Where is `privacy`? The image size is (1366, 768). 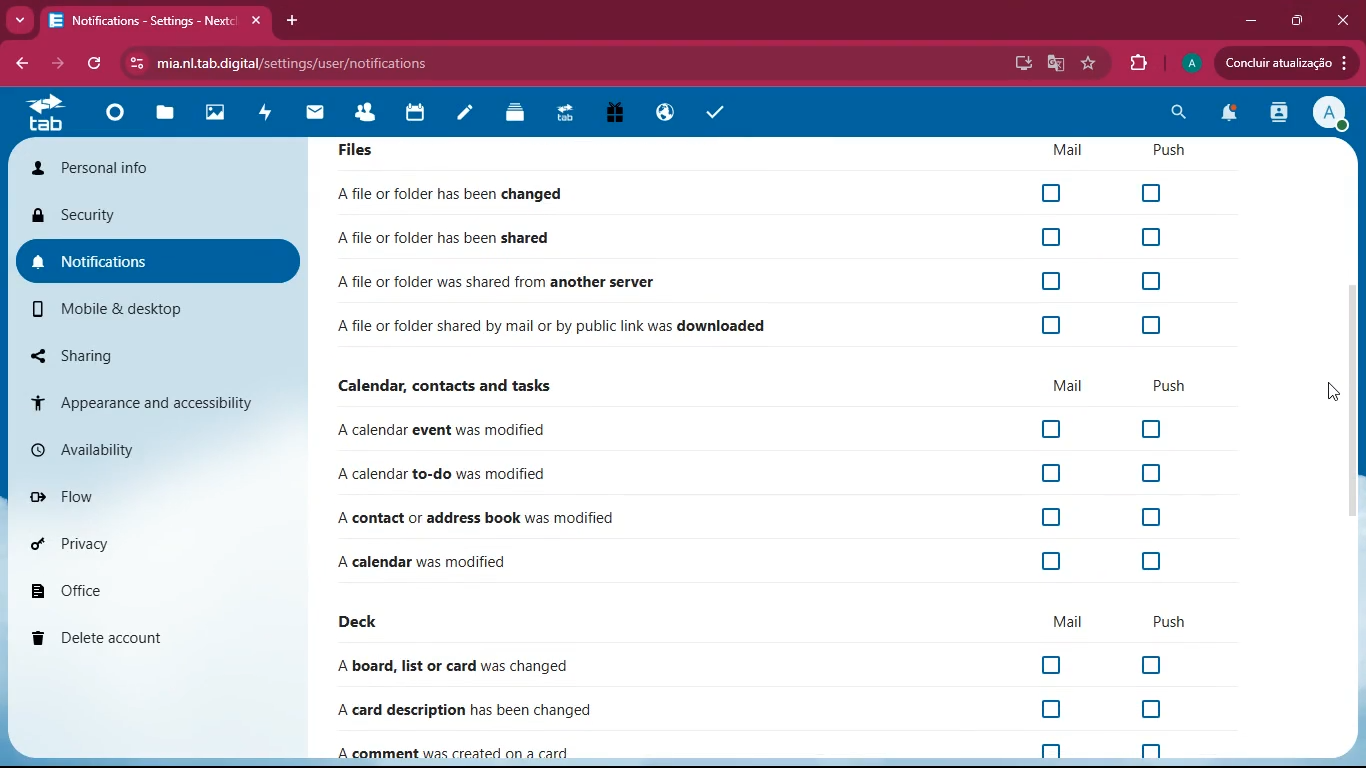
privacy is located at coordinates (136, 546).